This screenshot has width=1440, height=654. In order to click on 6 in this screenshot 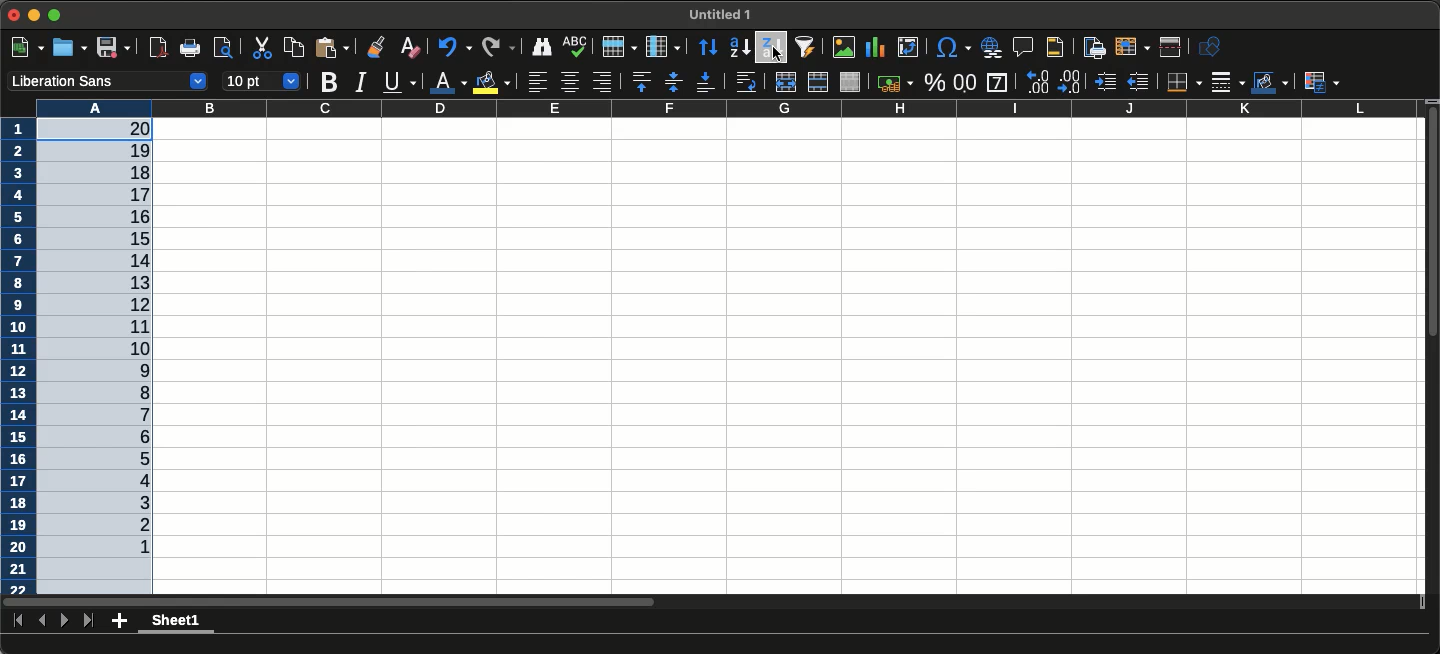, I will do `click(134, 237)`.